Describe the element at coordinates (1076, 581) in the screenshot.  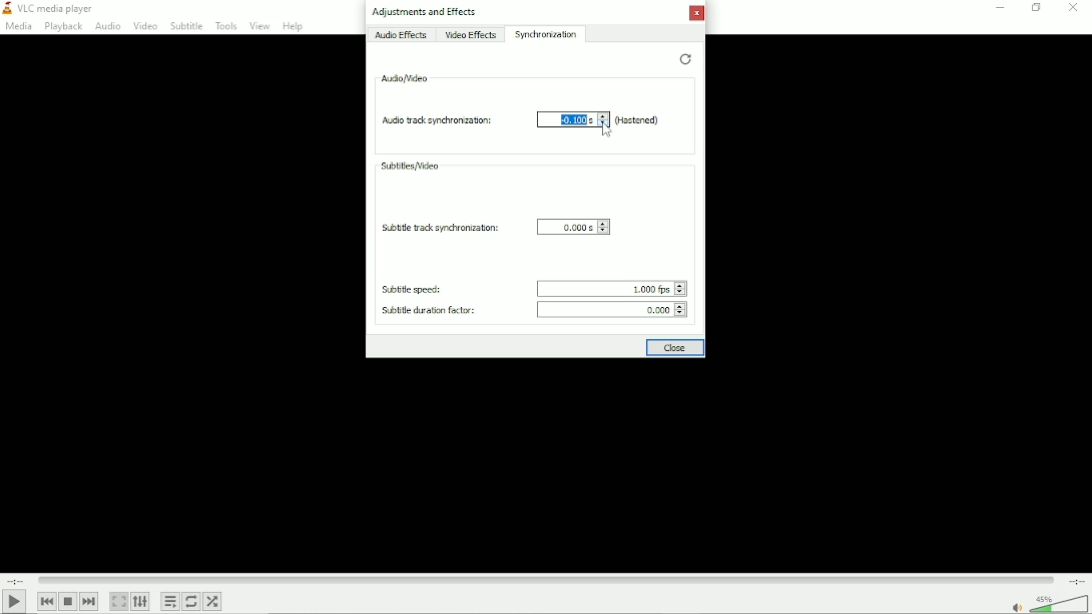
I see `Total duration` at that location.